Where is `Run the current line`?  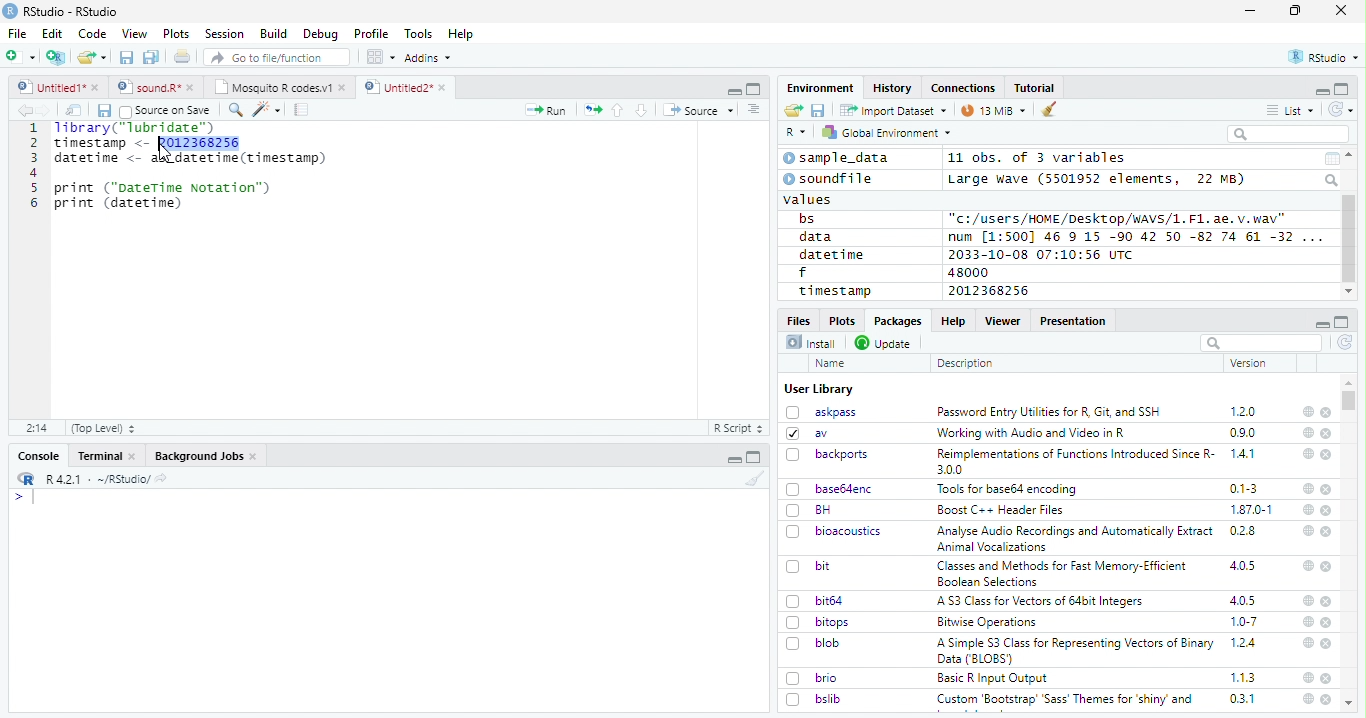 Run the current line is located at coordinates (546, 110).